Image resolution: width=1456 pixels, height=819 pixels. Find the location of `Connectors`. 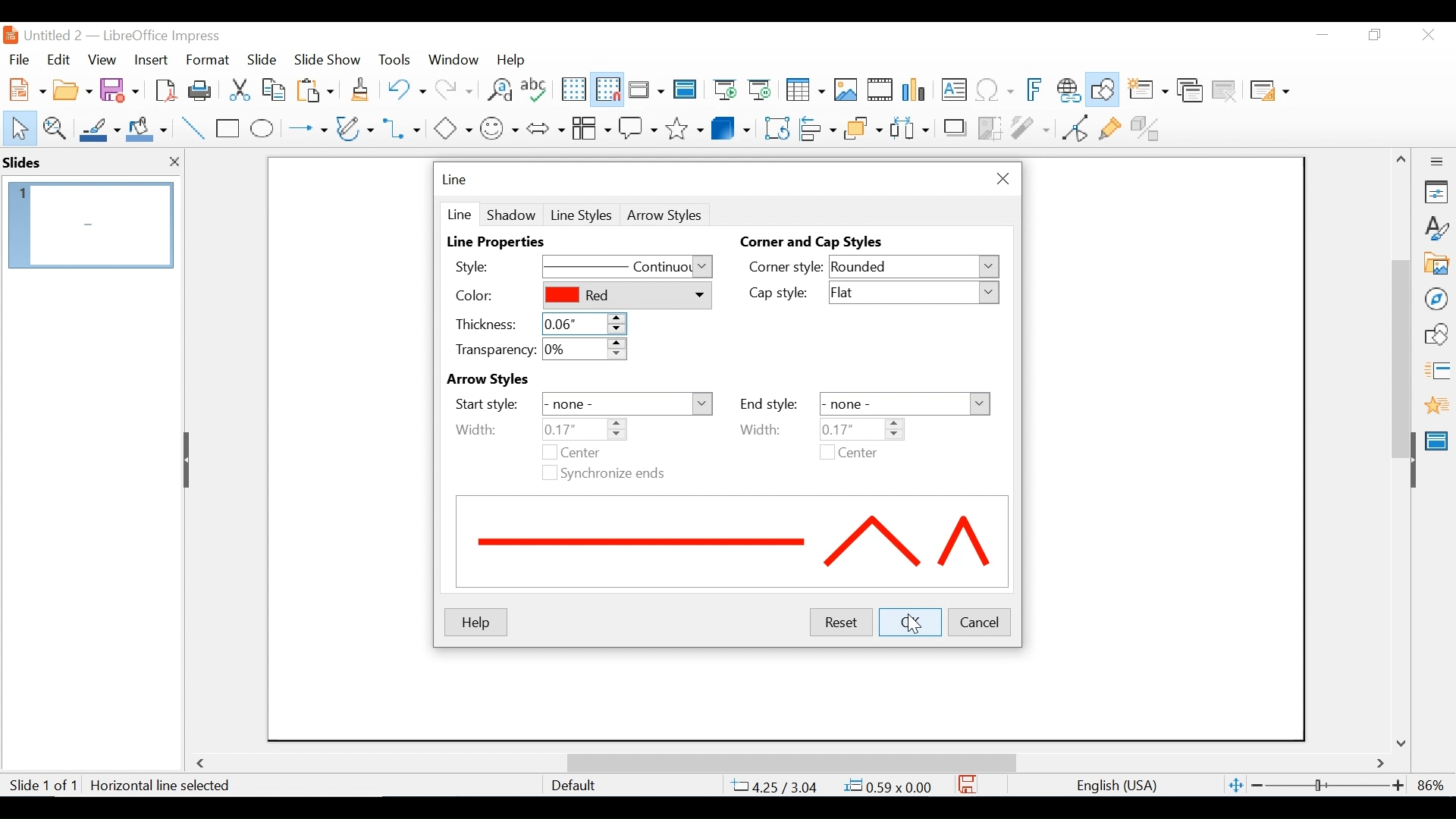

Connectors is located at coordinates (403, 128).